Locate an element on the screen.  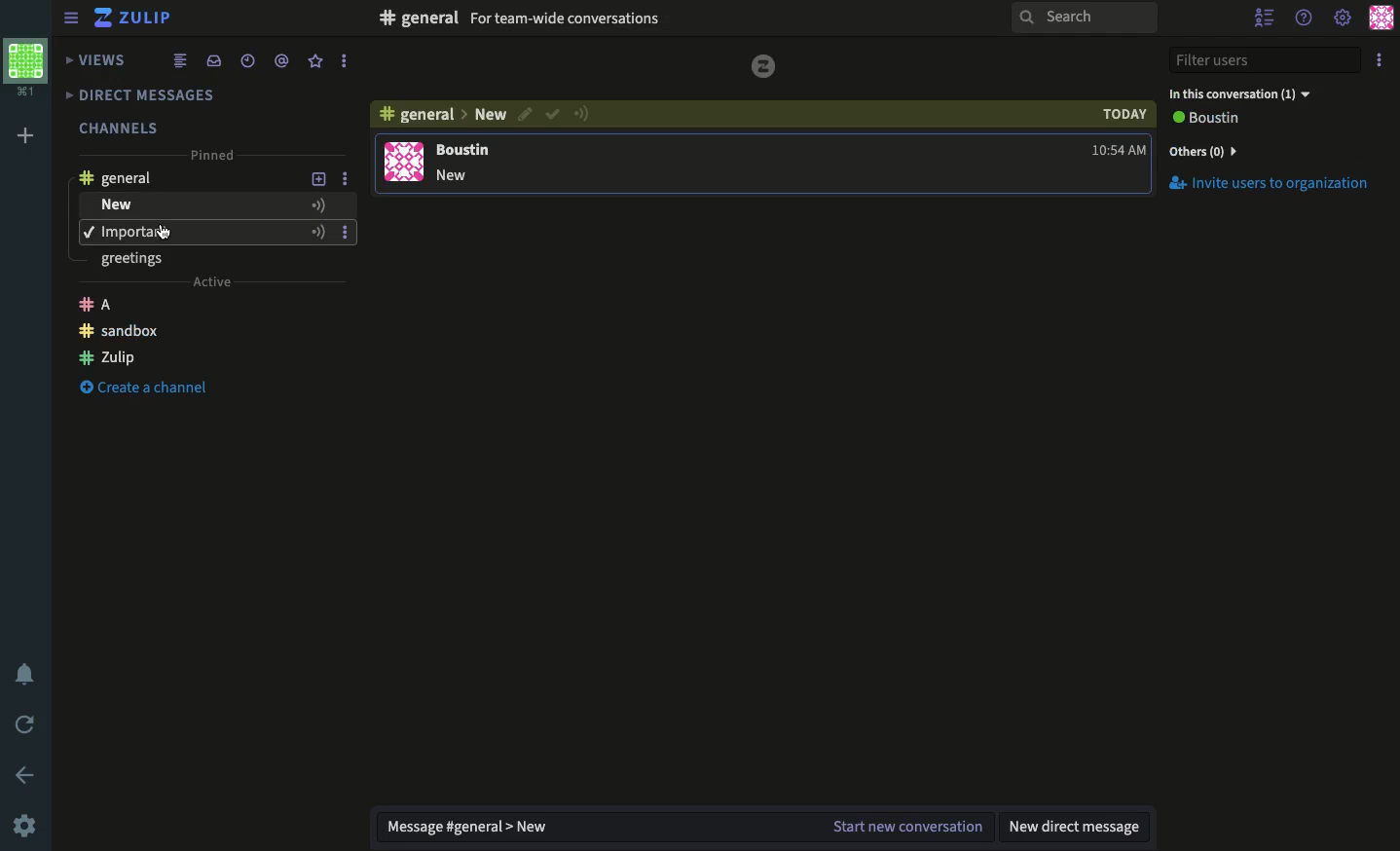
user profile is located at coordinates (402, 162).